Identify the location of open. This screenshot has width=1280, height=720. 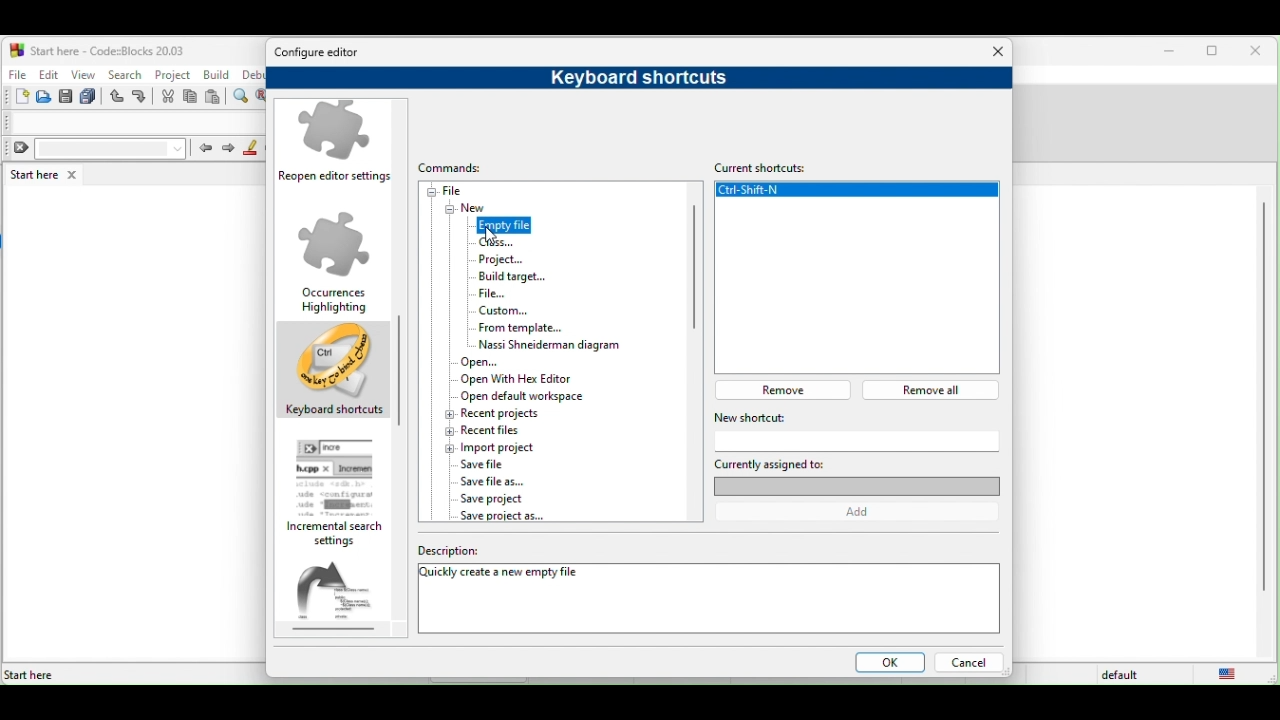
(45, 97).